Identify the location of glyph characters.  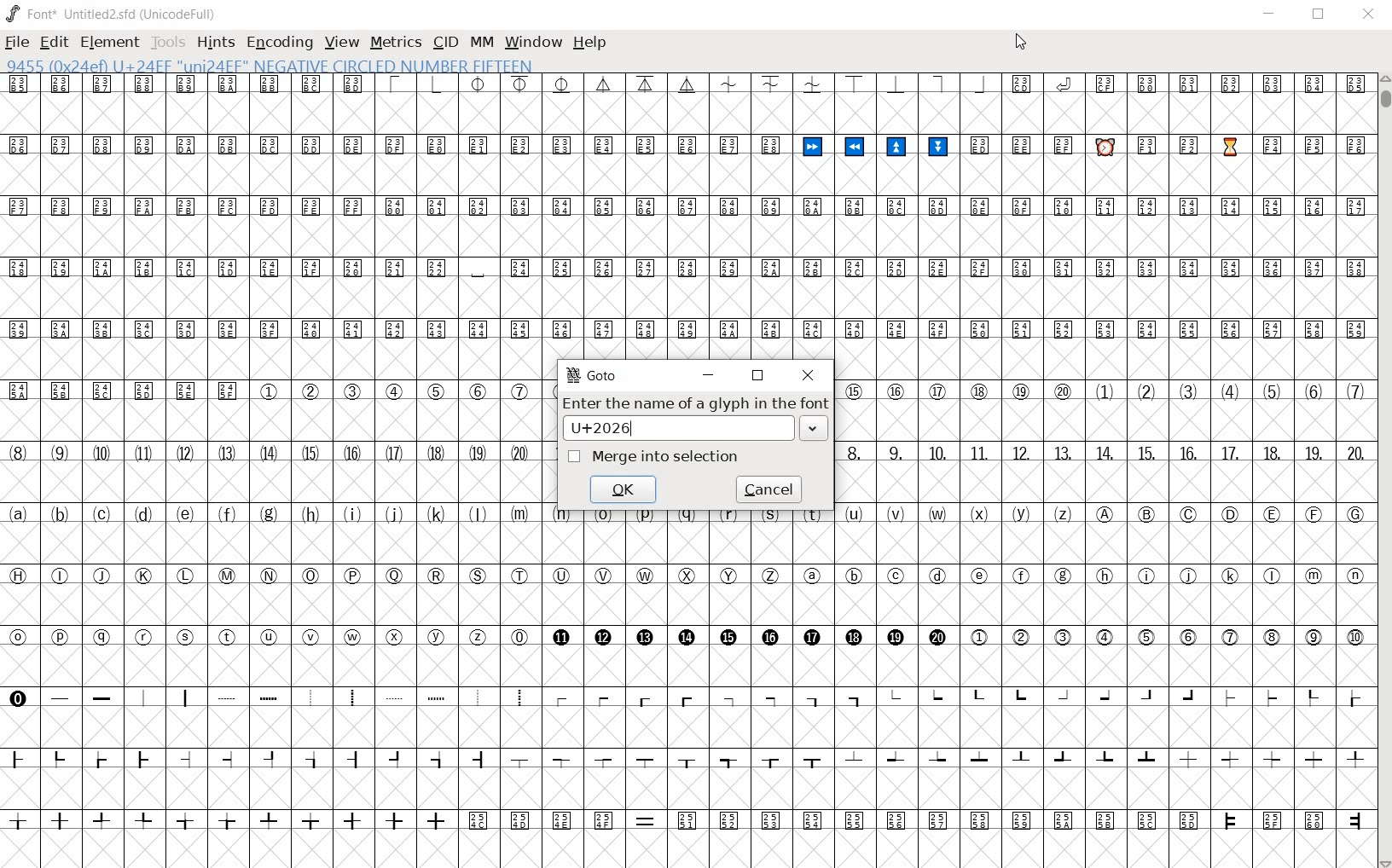
(960, 215).